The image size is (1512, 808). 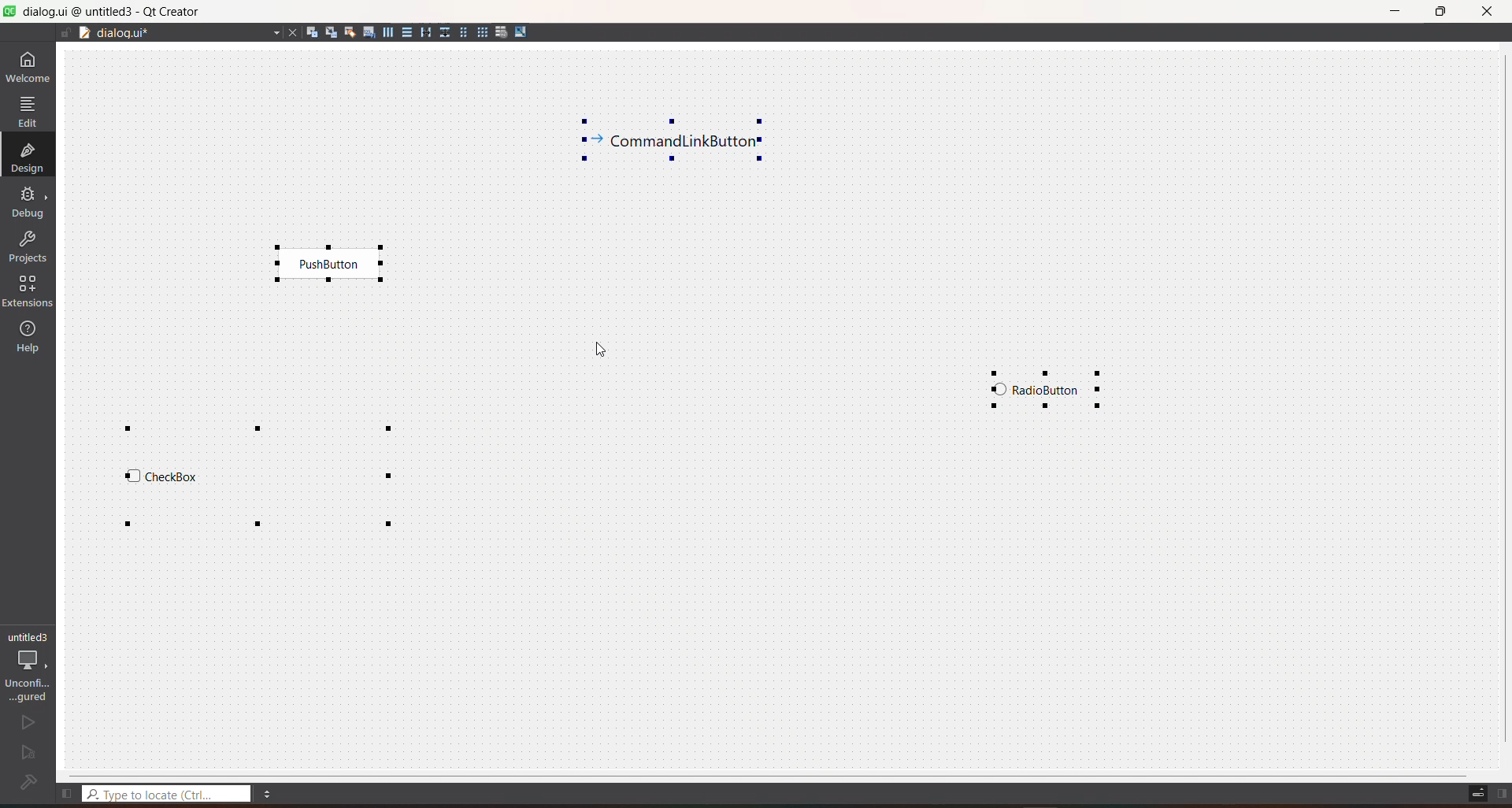 I want to click on project not configured, so click(x=28, y=783).